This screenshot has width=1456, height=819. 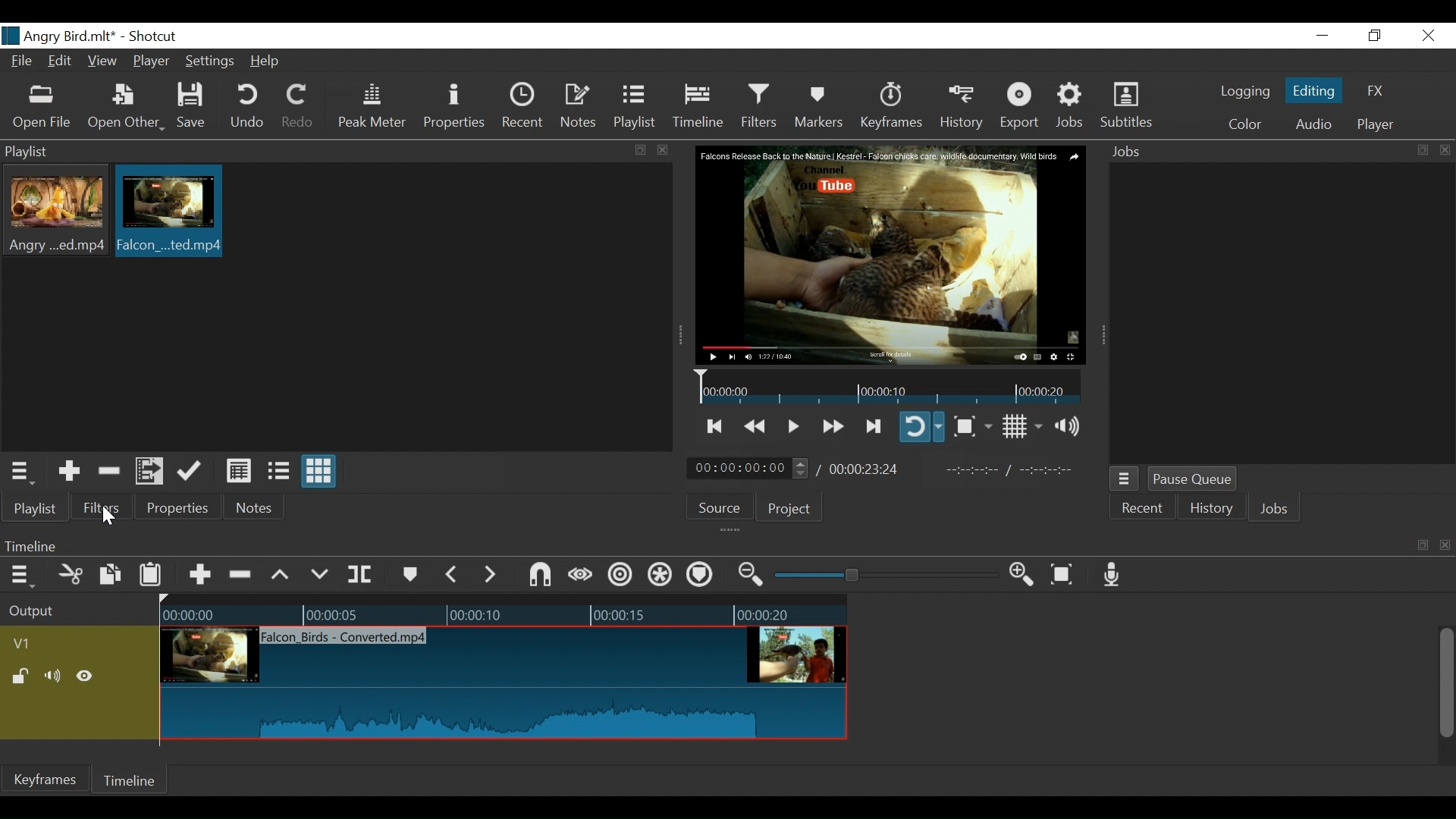 What do you see at coordinates (36, 508) in the screenshot?
I see `Playlist` at bounding box center [36, 508].